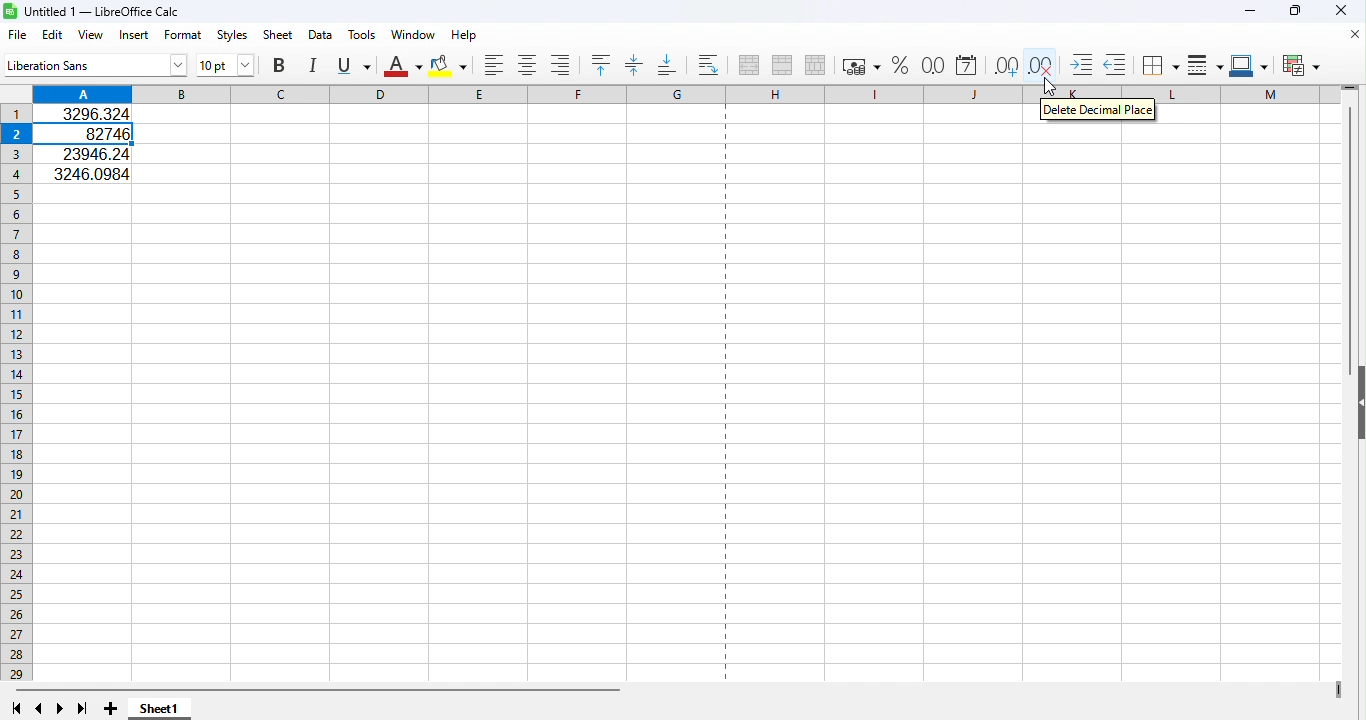  I want to click on Vertical scroll bar, so click(1356, 571).